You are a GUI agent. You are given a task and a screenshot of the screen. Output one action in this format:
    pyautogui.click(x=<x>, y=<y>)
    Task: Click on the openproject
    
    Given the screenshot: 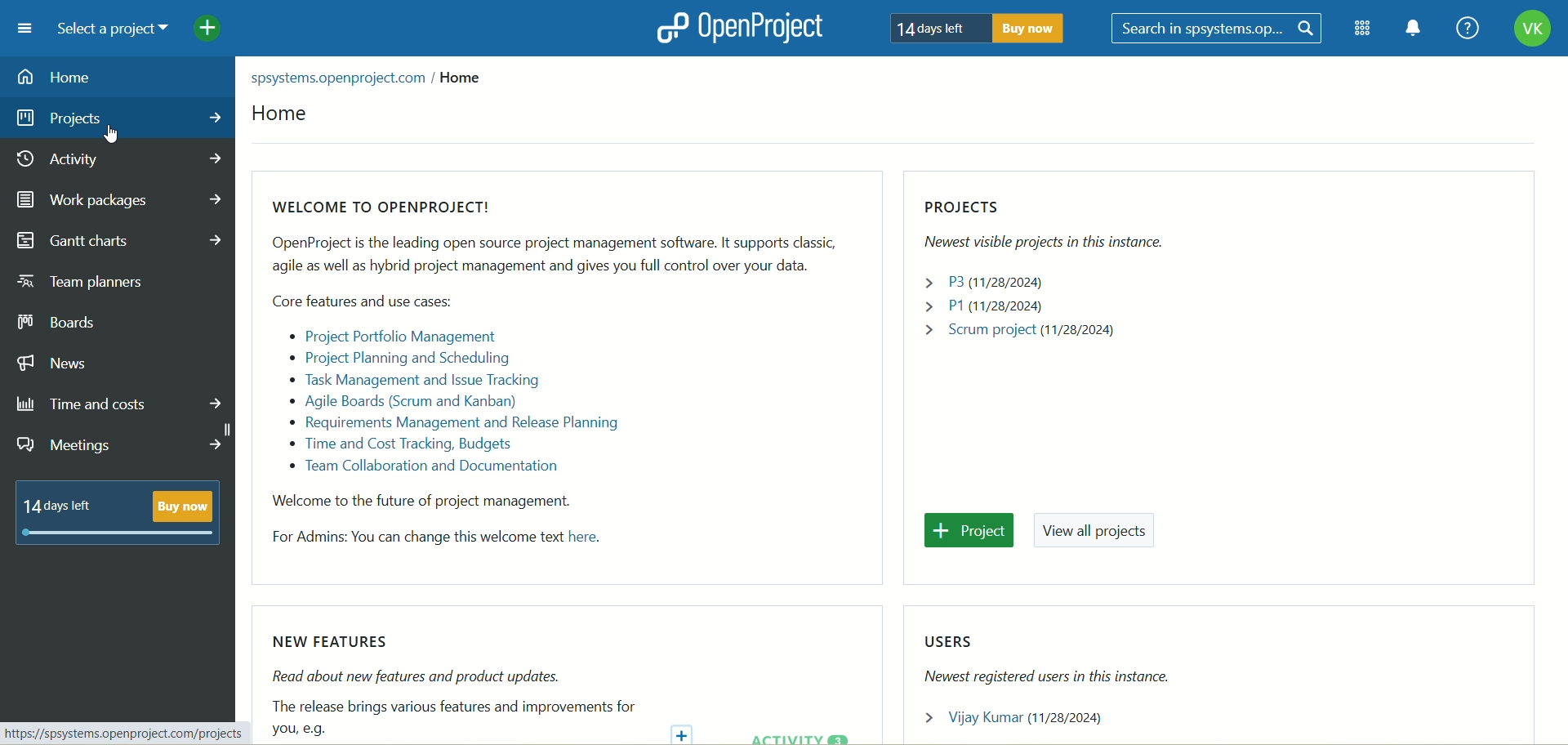 What is the action you would take?
    pyautogui.click(x=738, y=27)
    